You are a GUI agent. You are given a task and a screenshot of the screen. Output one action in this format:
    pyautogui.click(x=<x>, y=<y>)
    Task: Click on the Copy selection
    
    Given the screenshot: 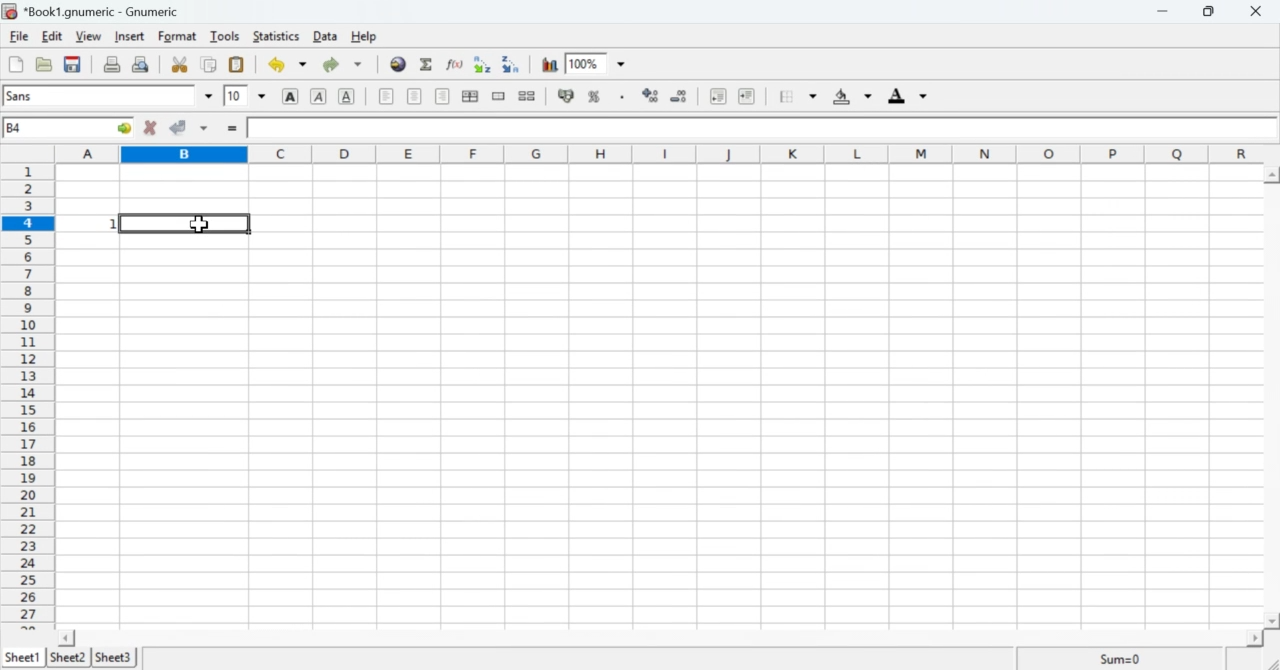 What is the action you would take?
    pyautogui.click(x=209, y=63)
    